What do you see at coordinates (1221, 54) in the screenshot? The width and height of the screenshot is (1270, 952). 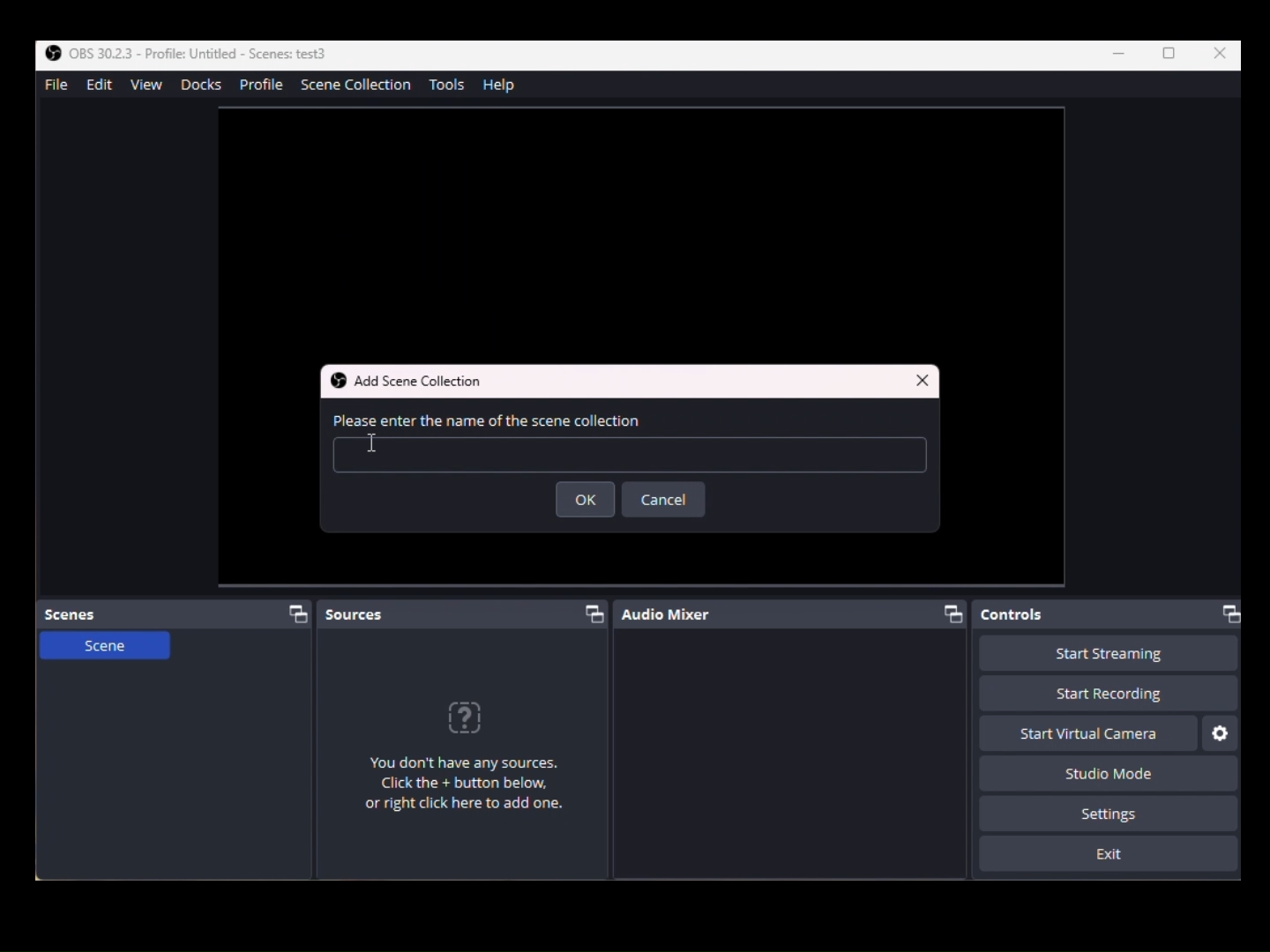 I see `Close` at bounding box center [1221, 54].